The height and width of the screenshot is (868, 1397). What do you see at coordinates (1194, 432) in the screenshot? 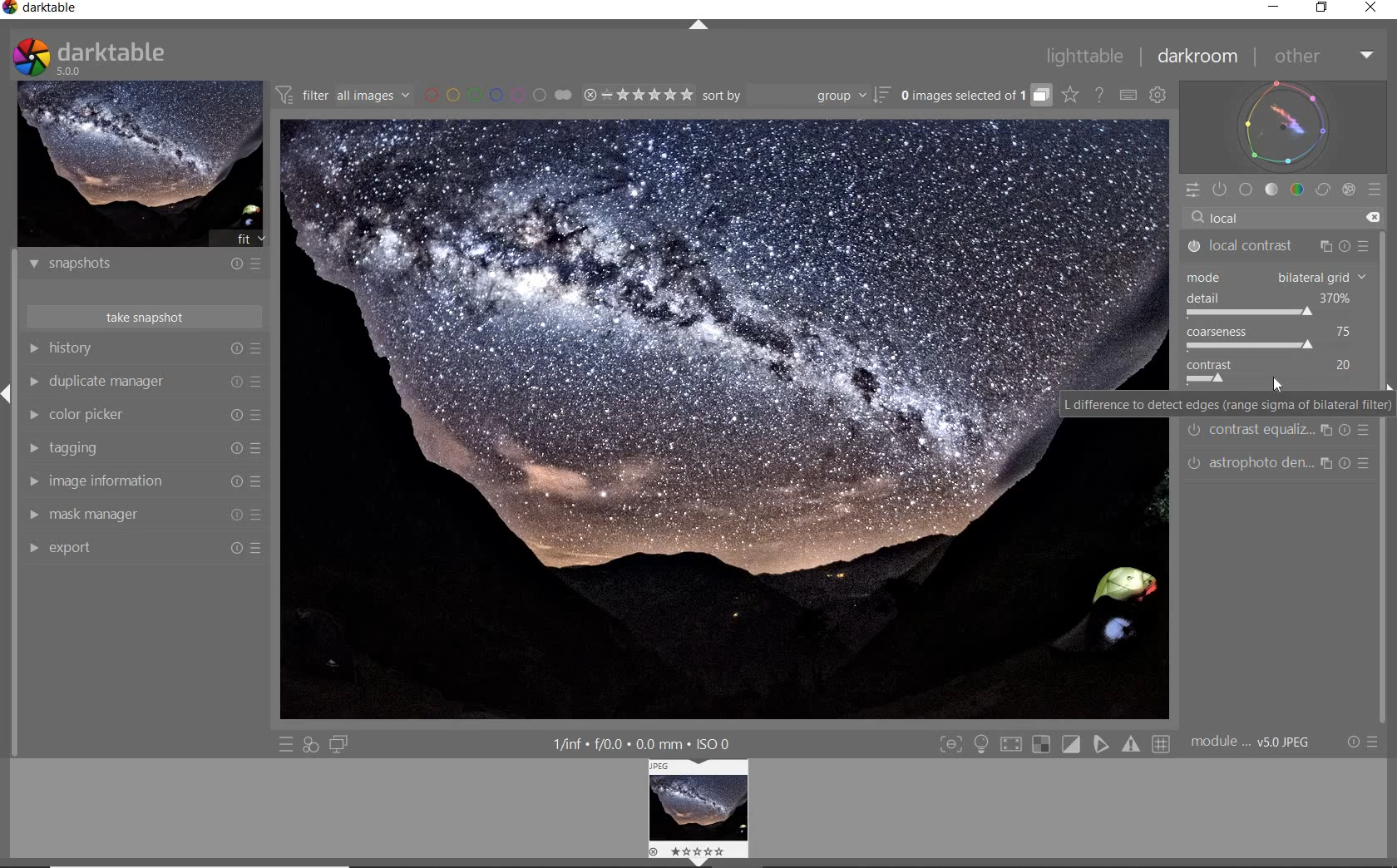
I see `Switched off` at bounding box center [1194, 432].